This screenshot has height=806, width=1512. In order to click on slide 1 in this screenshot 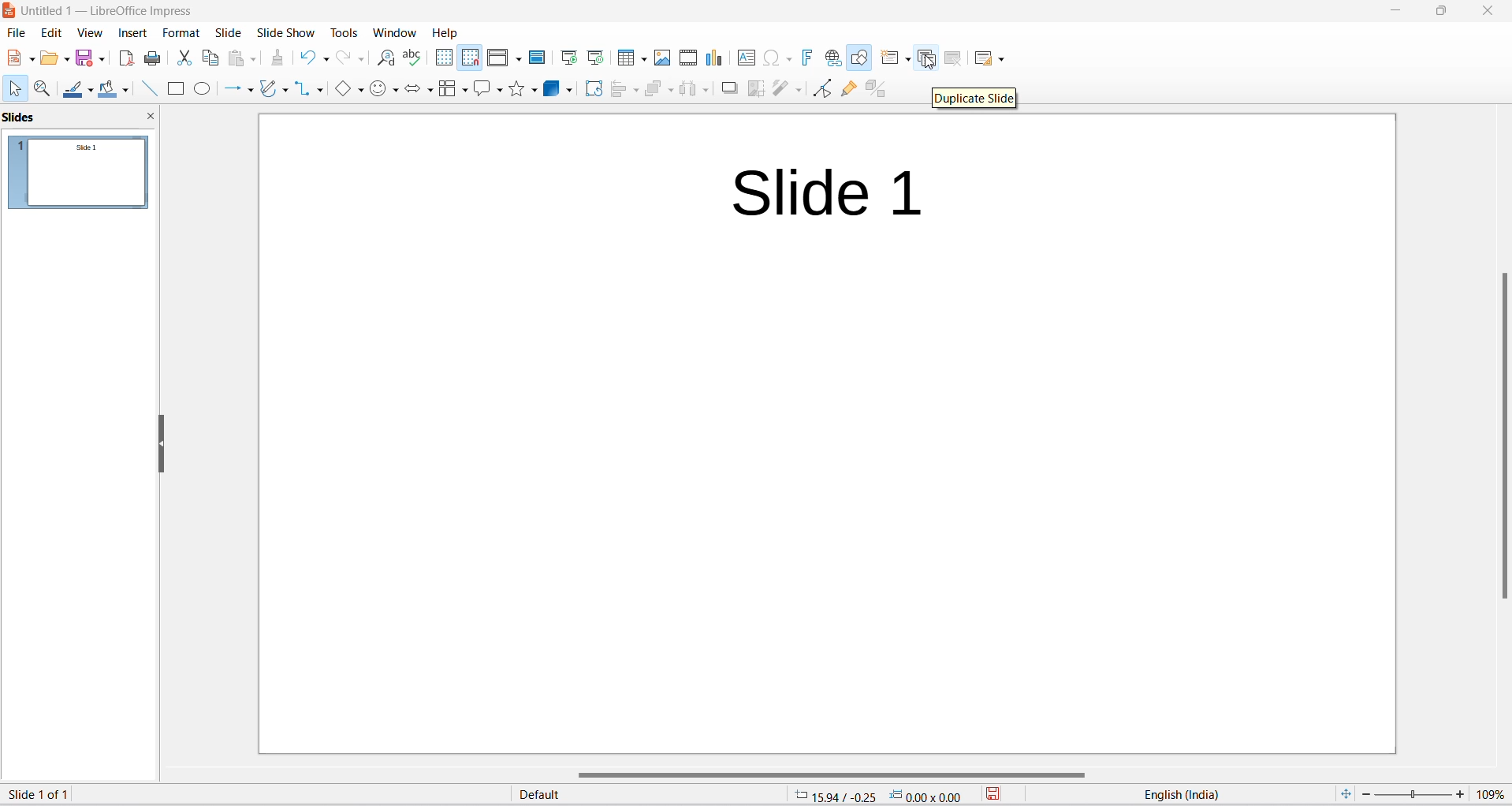, I will do `click(825, 434)`.